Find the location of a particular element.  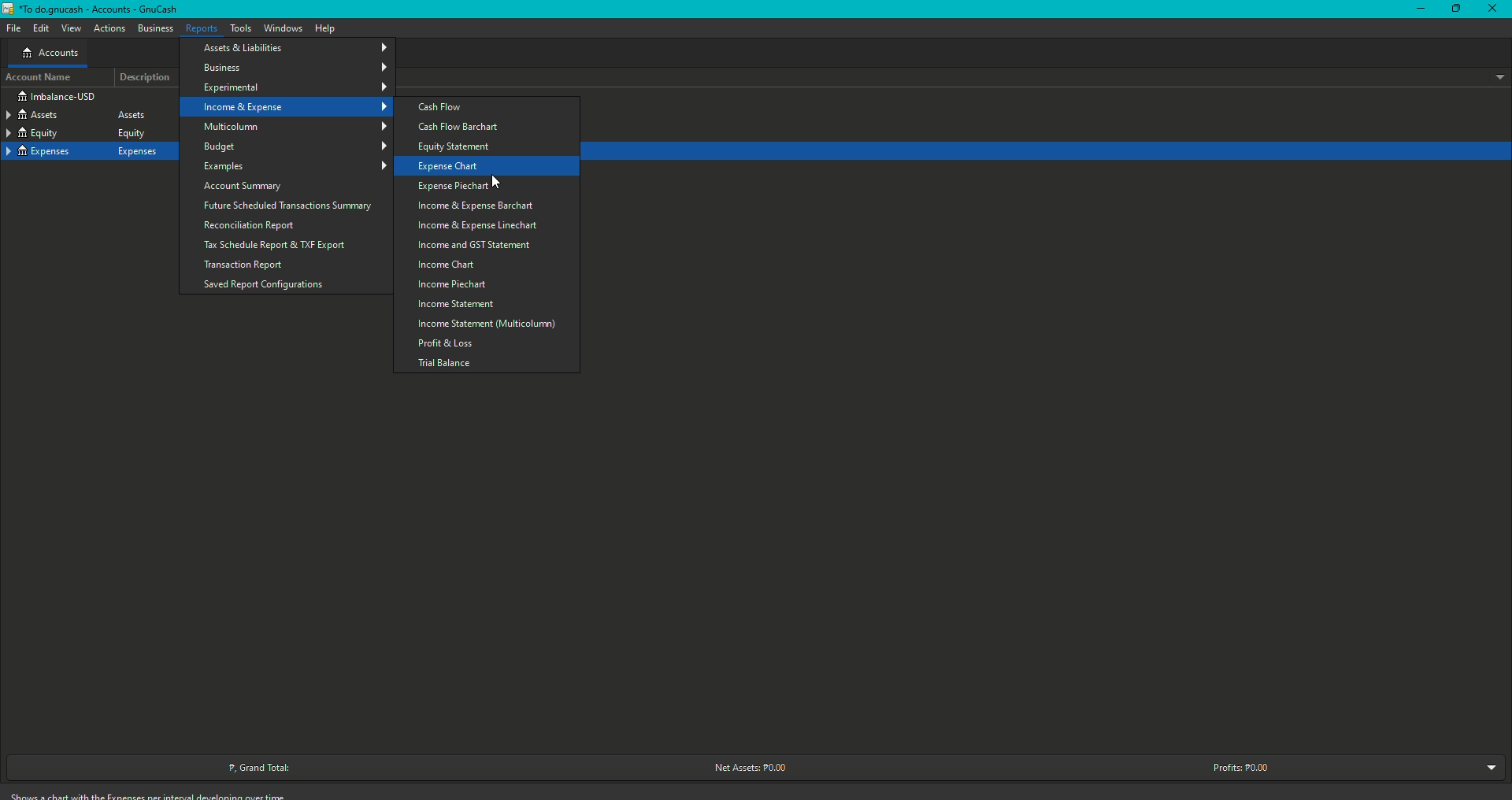

Assets and Liabilities is located at coordinates (298, 47).